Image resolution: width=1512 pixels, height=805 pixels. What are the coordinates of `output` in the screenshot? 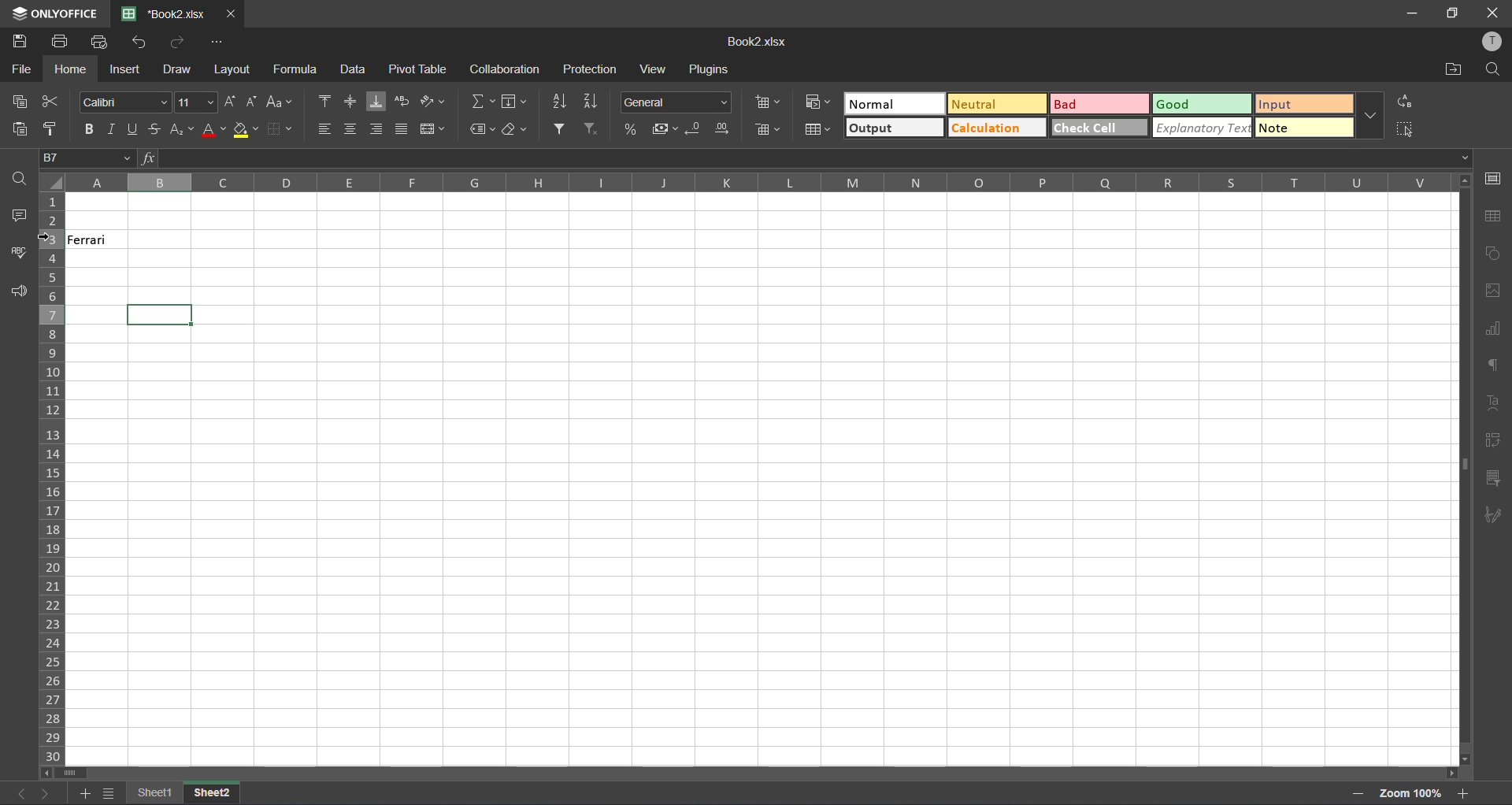 It's located at (894, 127).